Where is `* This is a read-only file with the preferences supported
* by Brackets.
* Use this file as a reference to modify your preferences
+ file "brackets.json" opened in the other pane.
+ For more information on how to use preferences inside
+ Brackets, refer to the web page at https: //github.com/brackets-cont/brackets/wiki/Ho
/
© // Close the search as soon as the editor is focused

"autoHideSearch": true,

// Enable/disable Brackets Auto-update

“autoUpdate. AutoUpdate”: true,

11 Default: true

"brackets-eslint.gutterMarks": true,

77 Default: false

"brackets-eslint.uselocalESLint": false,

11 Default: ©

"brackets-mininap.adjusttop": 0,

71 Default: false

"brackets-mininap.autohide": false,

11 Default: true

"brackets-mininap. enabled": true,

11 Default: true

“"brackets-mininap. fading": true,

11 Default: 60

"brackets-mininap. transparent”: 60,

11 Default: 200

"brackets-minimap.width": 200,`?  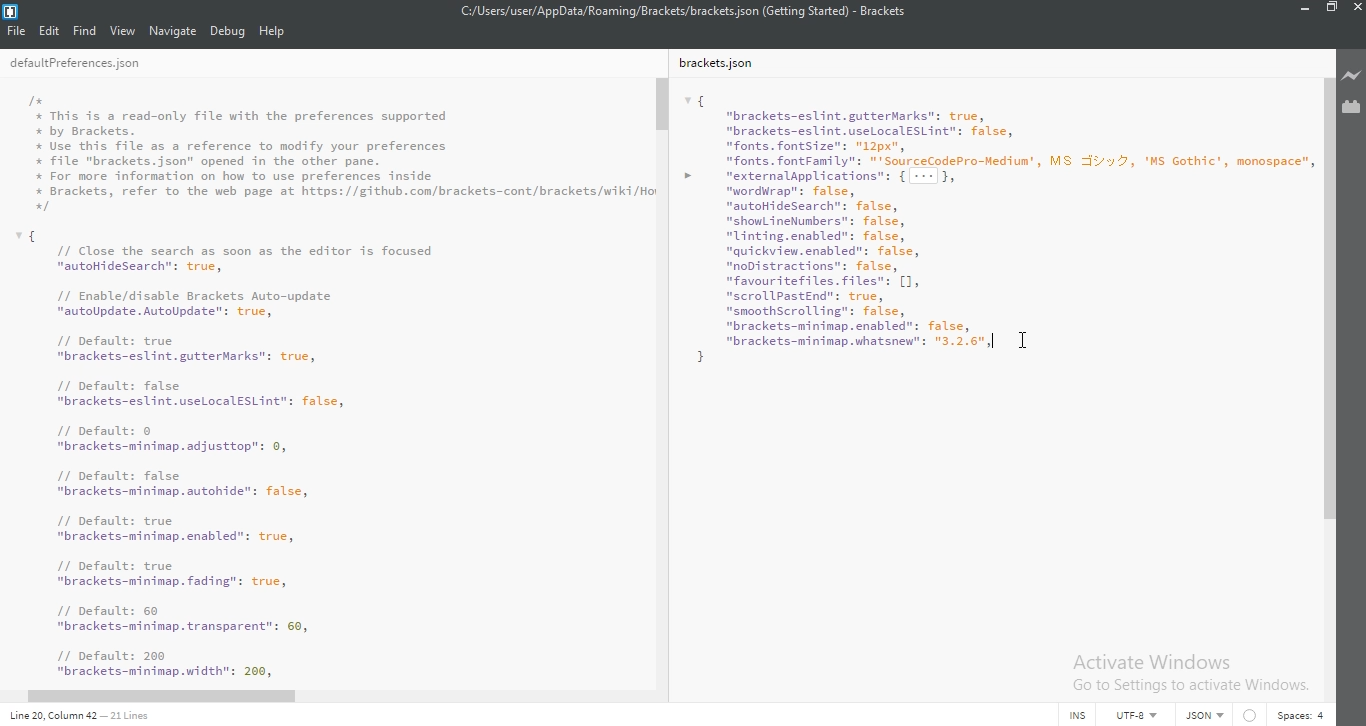
* This is a read-only file with the preferences supported
* by Brackets.
* Use this file as a reference to modify your preferences
+ file "brackets.json" opened in the other pane.
+ For more information on how to use preferences inside
+ Brackets, refer to the web page at https: //github.com/brackets-cont/brackets/wiki/Ho
/
© // Close the search as soon as the editor is focused

"autoHideSearch": true,

// Enable/disable Brackets Auto-update

“autoUpdate. AutoUpdate”: true,

11 Default: true

"brackets-eslint.gutterMarks": true,

77 Default: false

"brackets-eslint.uselocalESLint": false,

11 Default: ©

"brackets-mininap.adjusttop": 0,

71 Default: false

"brackets-mininap.autohide": false,

11 Default: true

"brackets-mininap. enabled": true,

11 Default: true

“"brackets-mininap. fading": true,

11 Default: 60

"brackets-mininap. transparent”: 60,

11 Default: 200

"brackets-minimap.width": 200, is located at coordinates (341, 386).